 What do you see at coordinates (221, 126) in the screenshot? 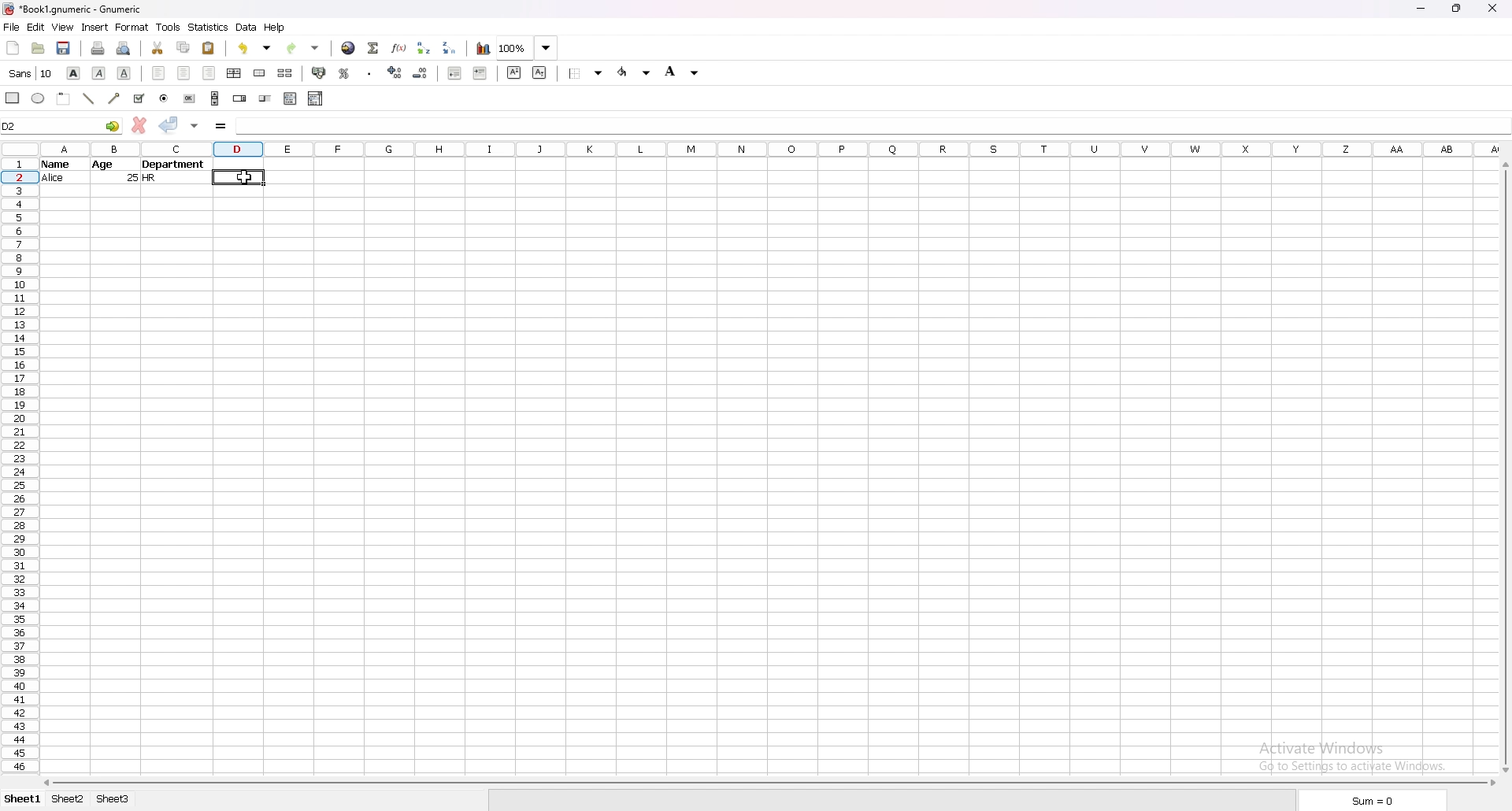
I see `formula` at bounding box center [221, 126].